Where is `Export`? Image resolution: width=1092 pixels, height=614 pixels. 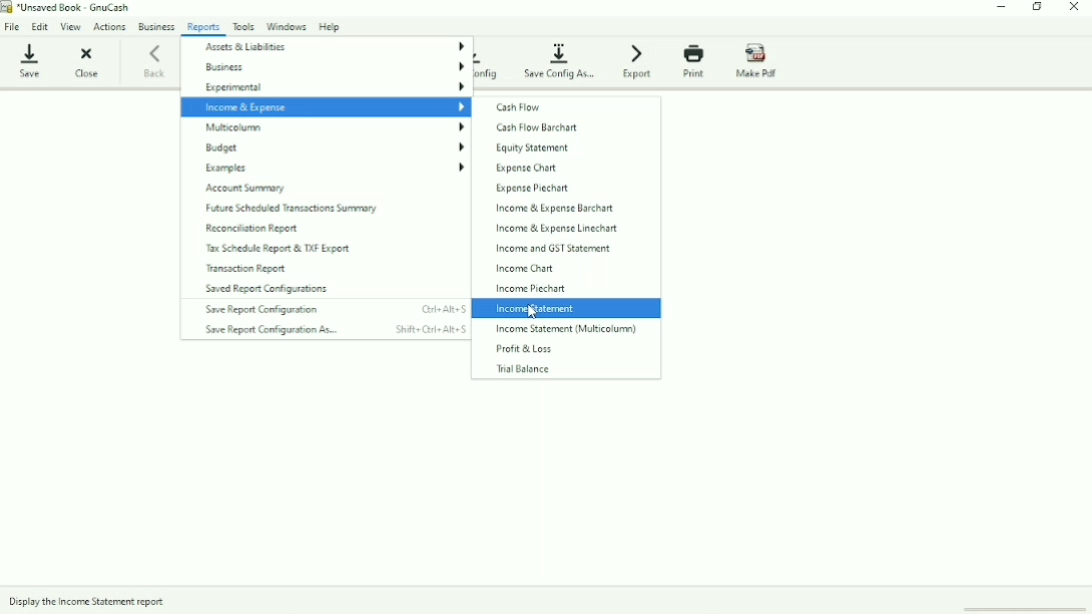
Export is located at coordinates (640, 60).